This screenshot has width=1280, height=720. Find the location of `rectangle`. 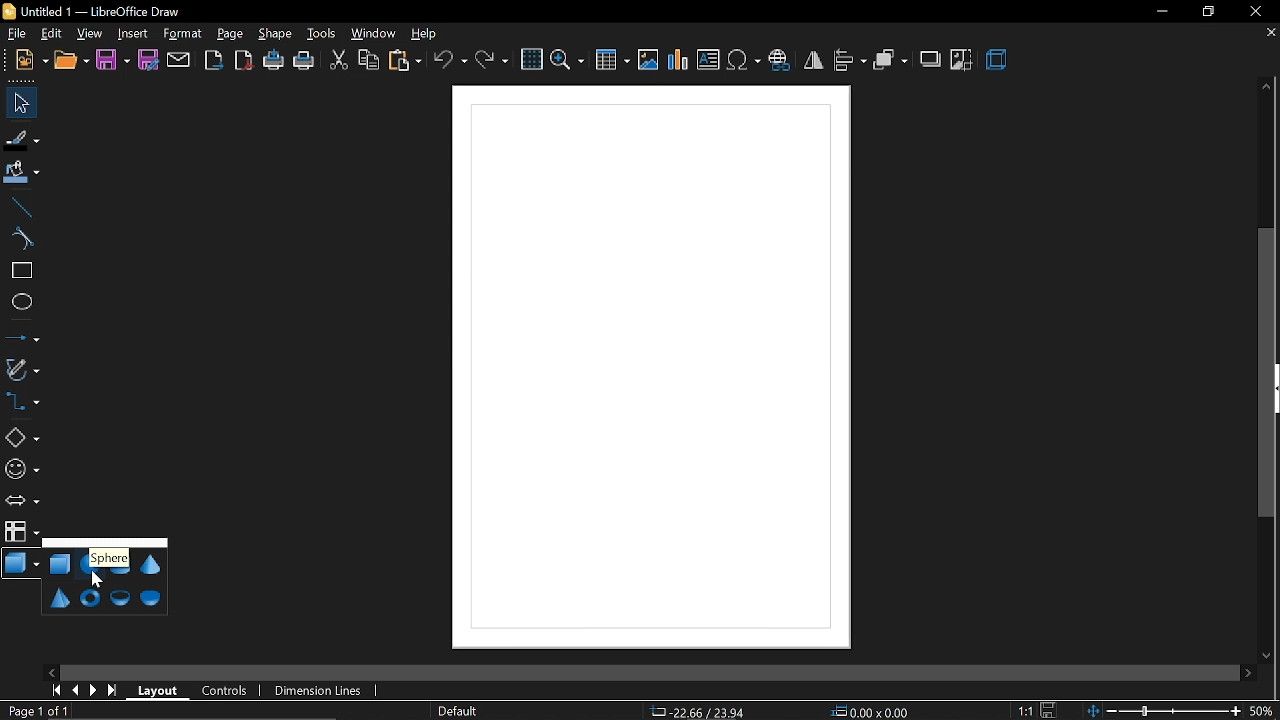

rectangle is located at coordinates (19, 270).